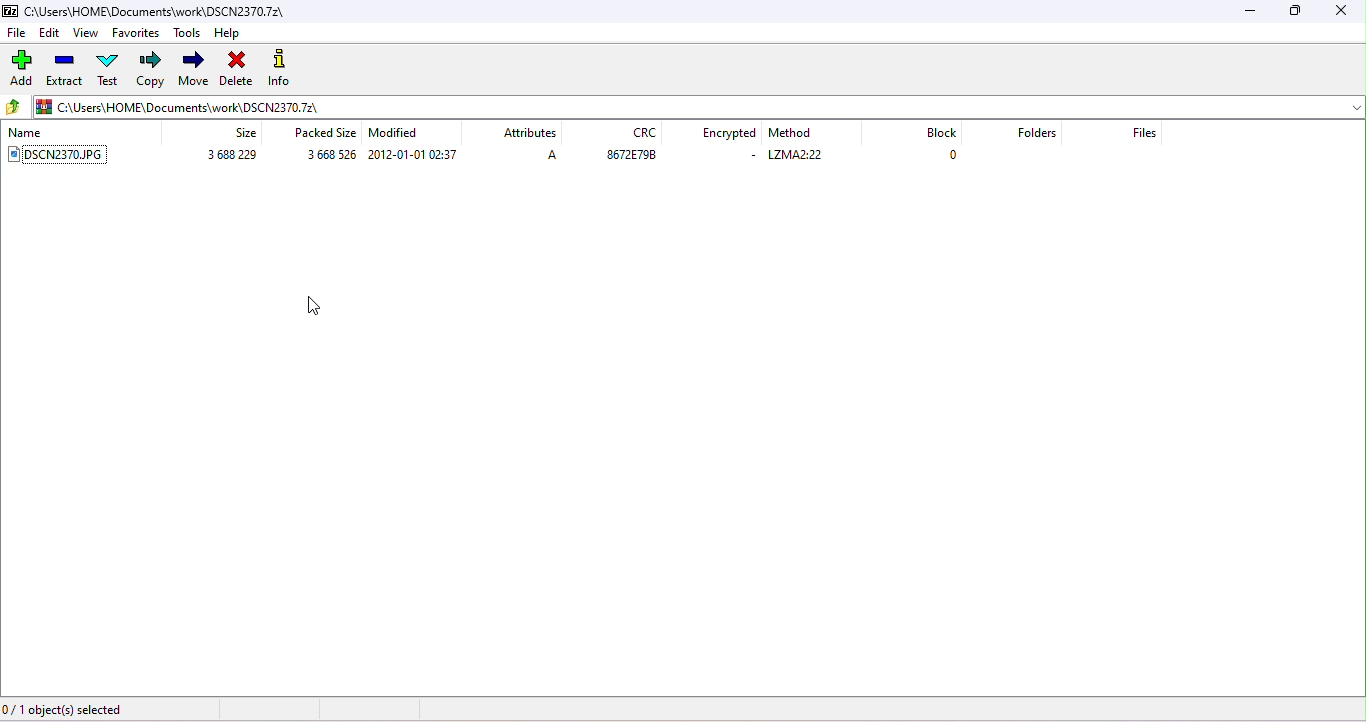 The image size is (1366, 722). Describe the element at coordinates (638, 135) in the screenshot. I see `CRC` at that location.